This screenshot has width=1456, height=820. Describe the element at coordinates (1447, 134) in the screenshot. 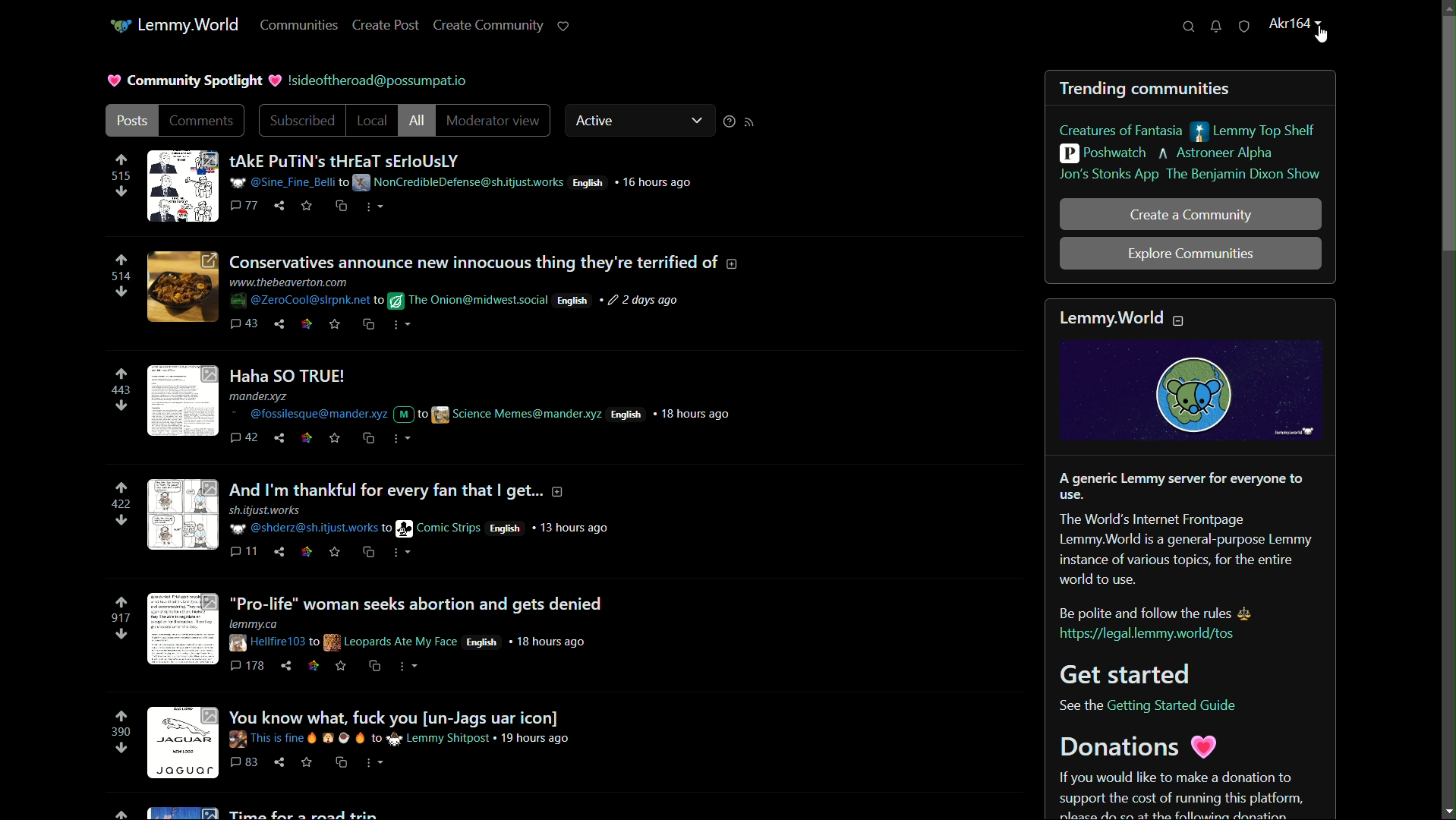

I see `scroll bar` at that location.